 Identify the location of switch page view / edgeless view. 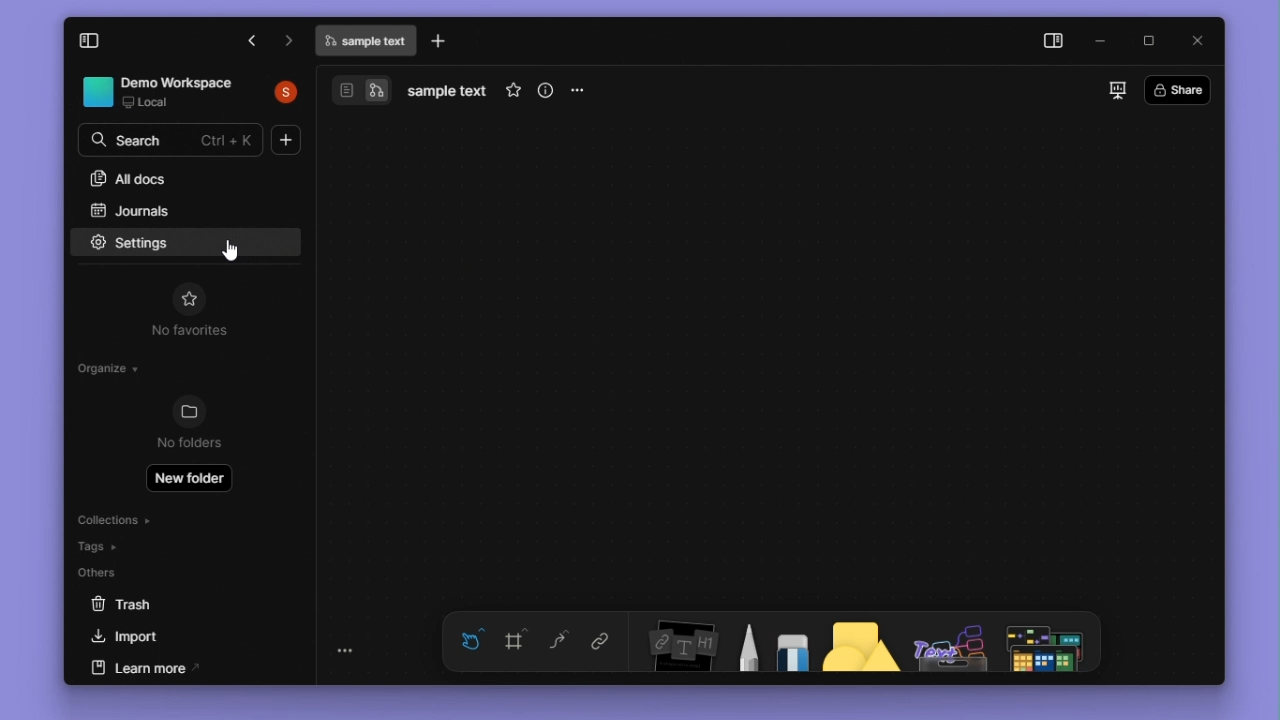
(360, 91).